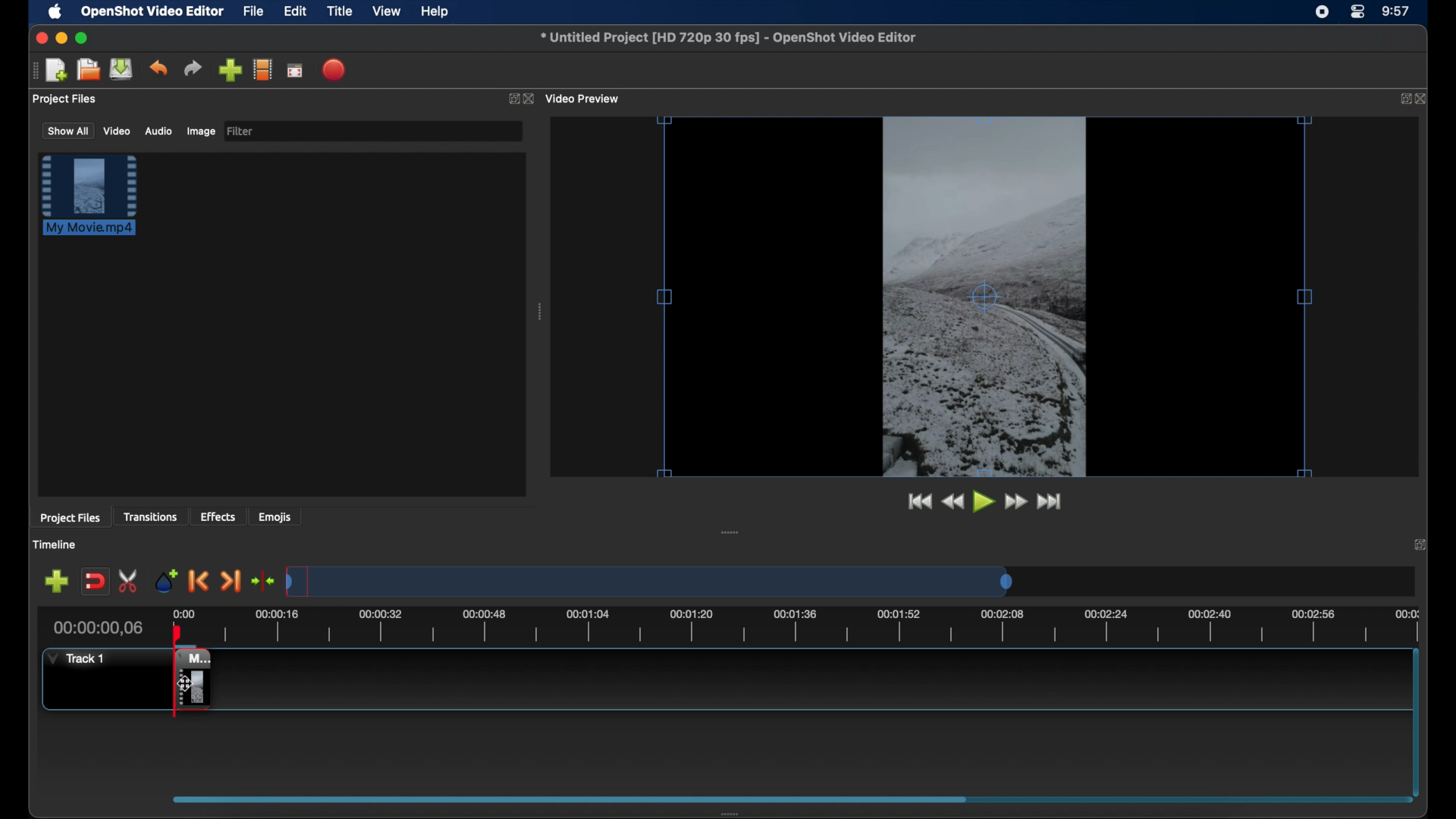 The image size is (1456, 819). Describe the element at coordinates (99, 628) in the screenshot. I see `current time indicator` at that location.